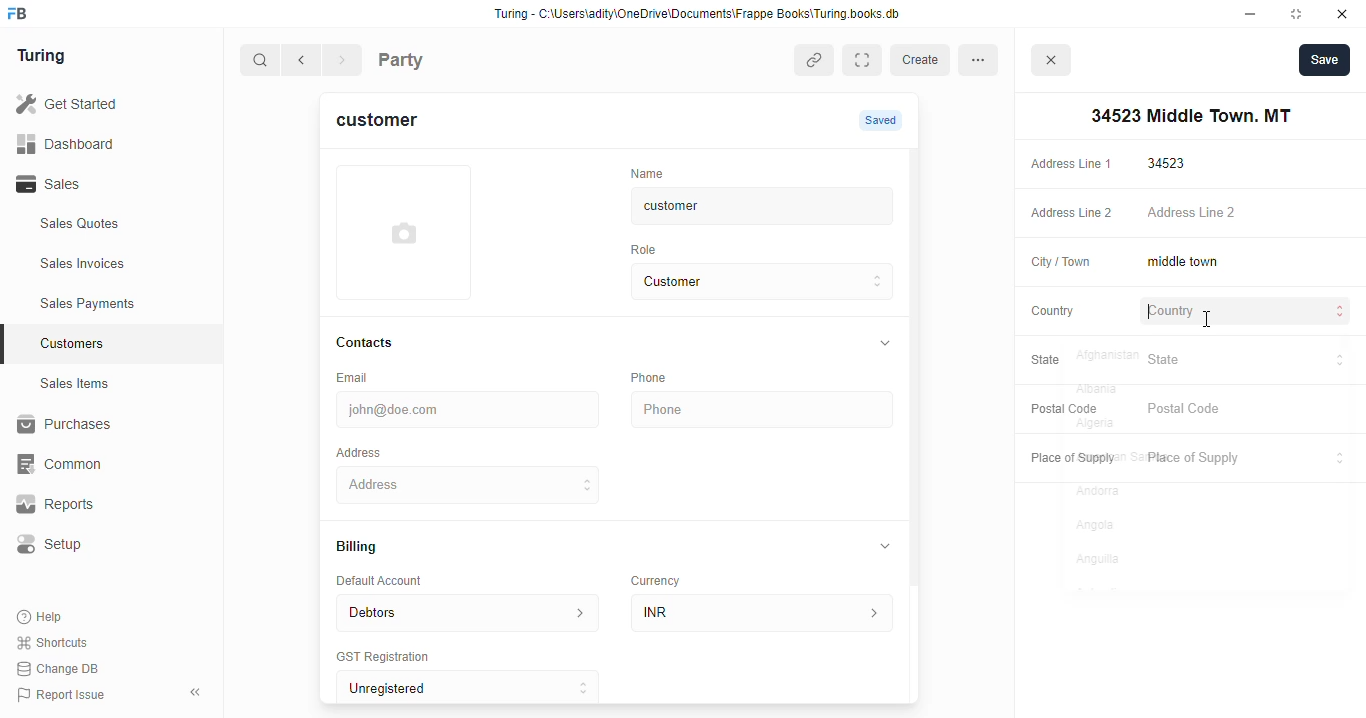  What do you see at coordinates (305, 61) in the screenshot?
I see `go back` at bounding box center [305, 61].